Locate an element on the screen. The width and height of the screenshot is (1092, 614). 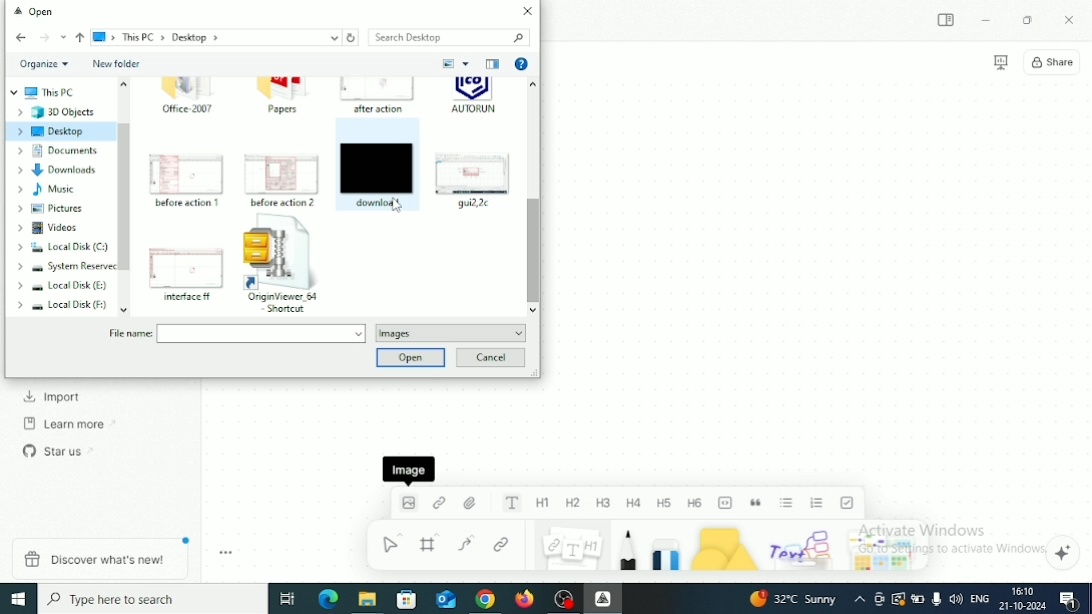
System Reserved is located at coordinates (65, 268).